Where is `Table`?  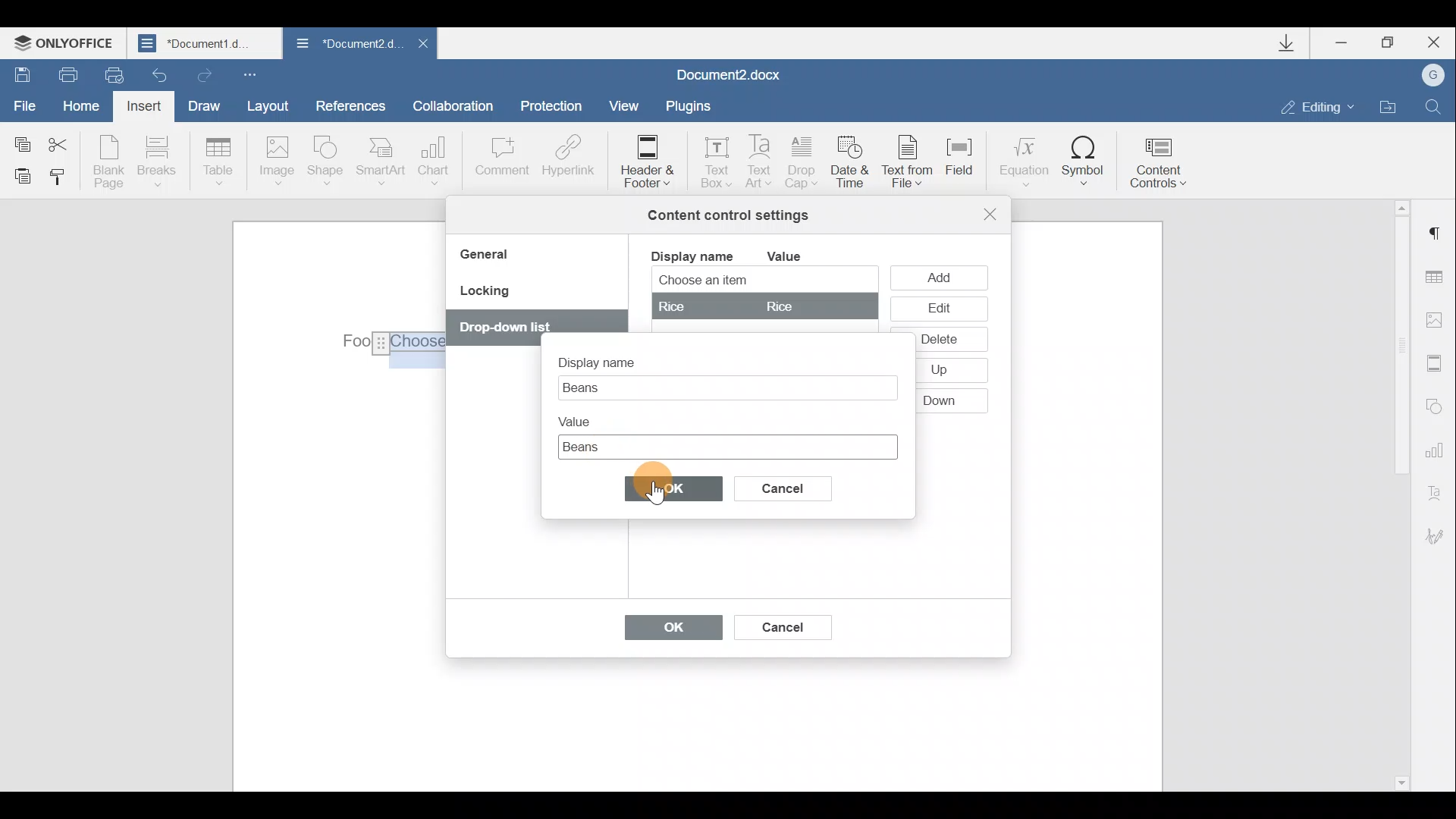
Table is located at coordinates (219, 163).